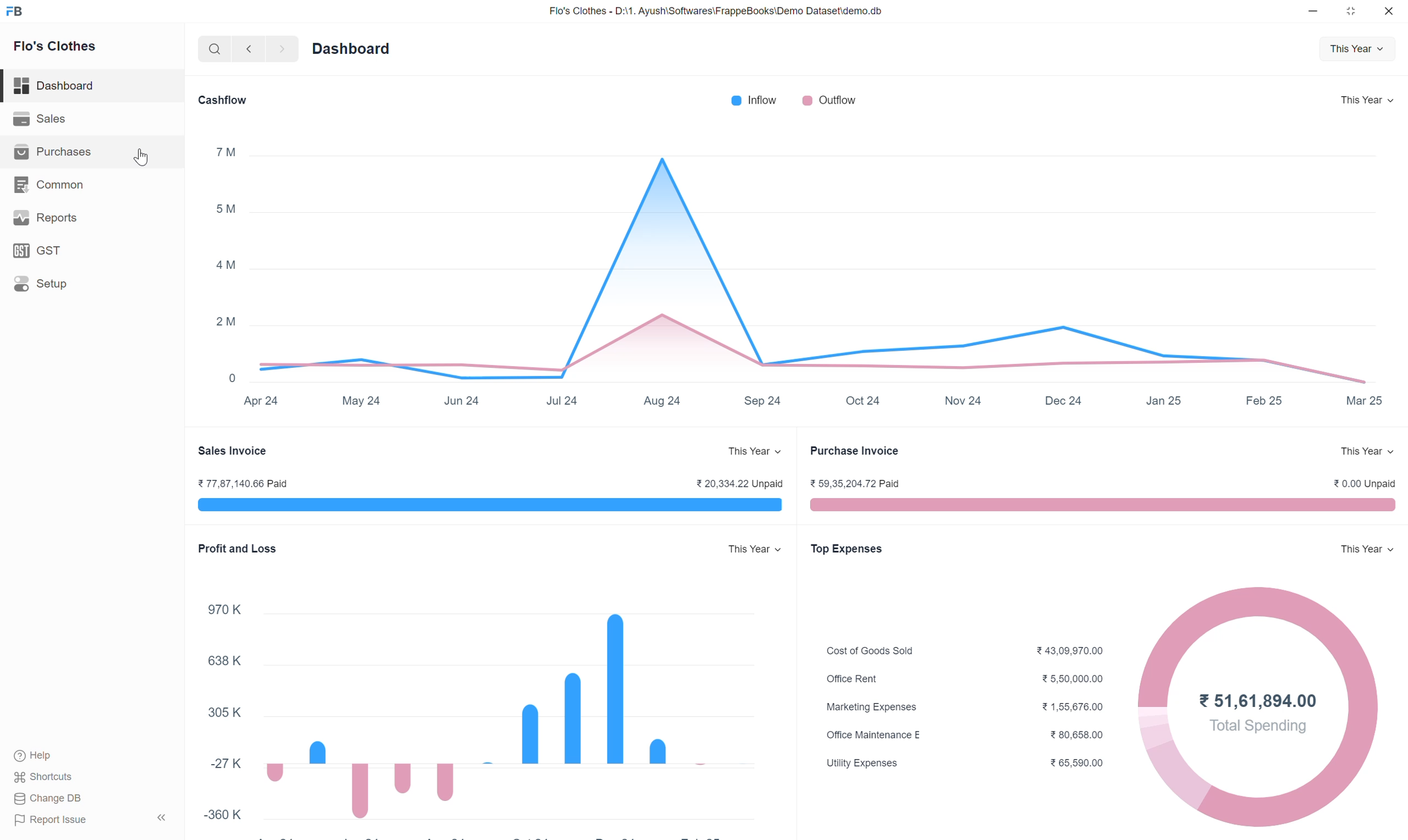 The image size is (1408, 840). What do you see at coordinates (163, 818) in the screenshot?
I see `Collapse` at bounding box center [163, 818].